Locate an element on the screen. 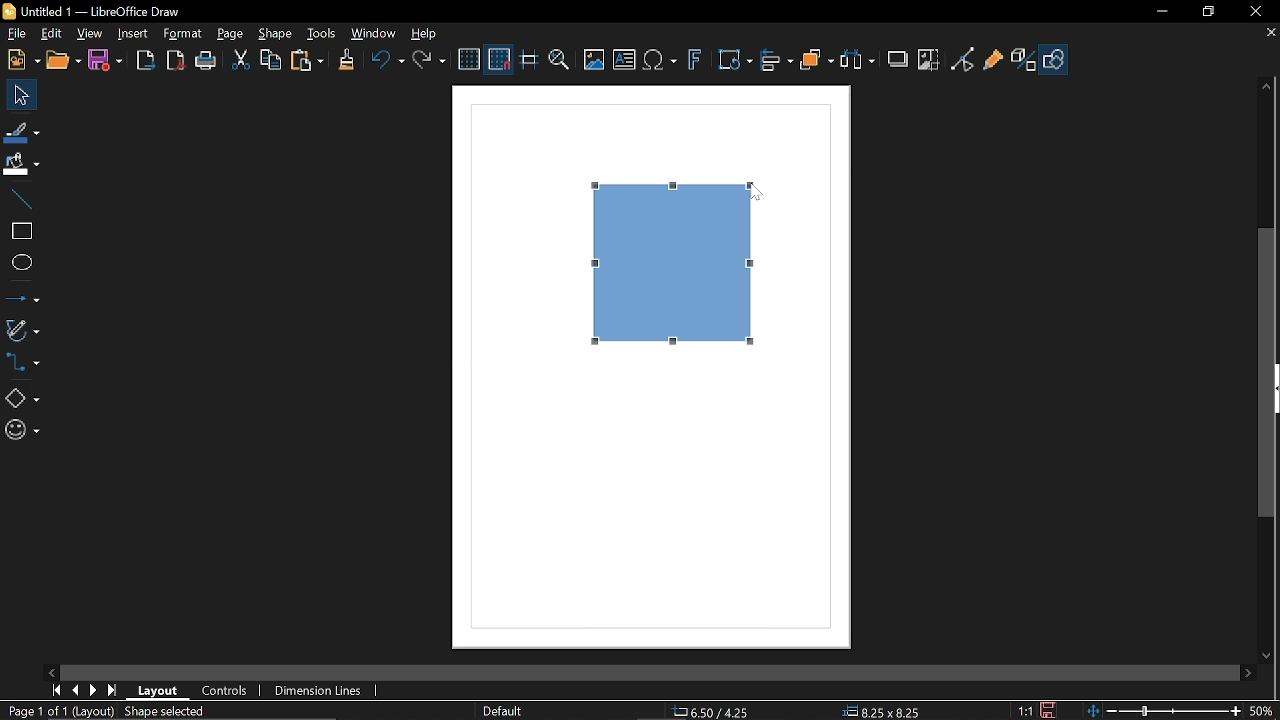  Toggle extrusion is located at coordinates (1023, 62).